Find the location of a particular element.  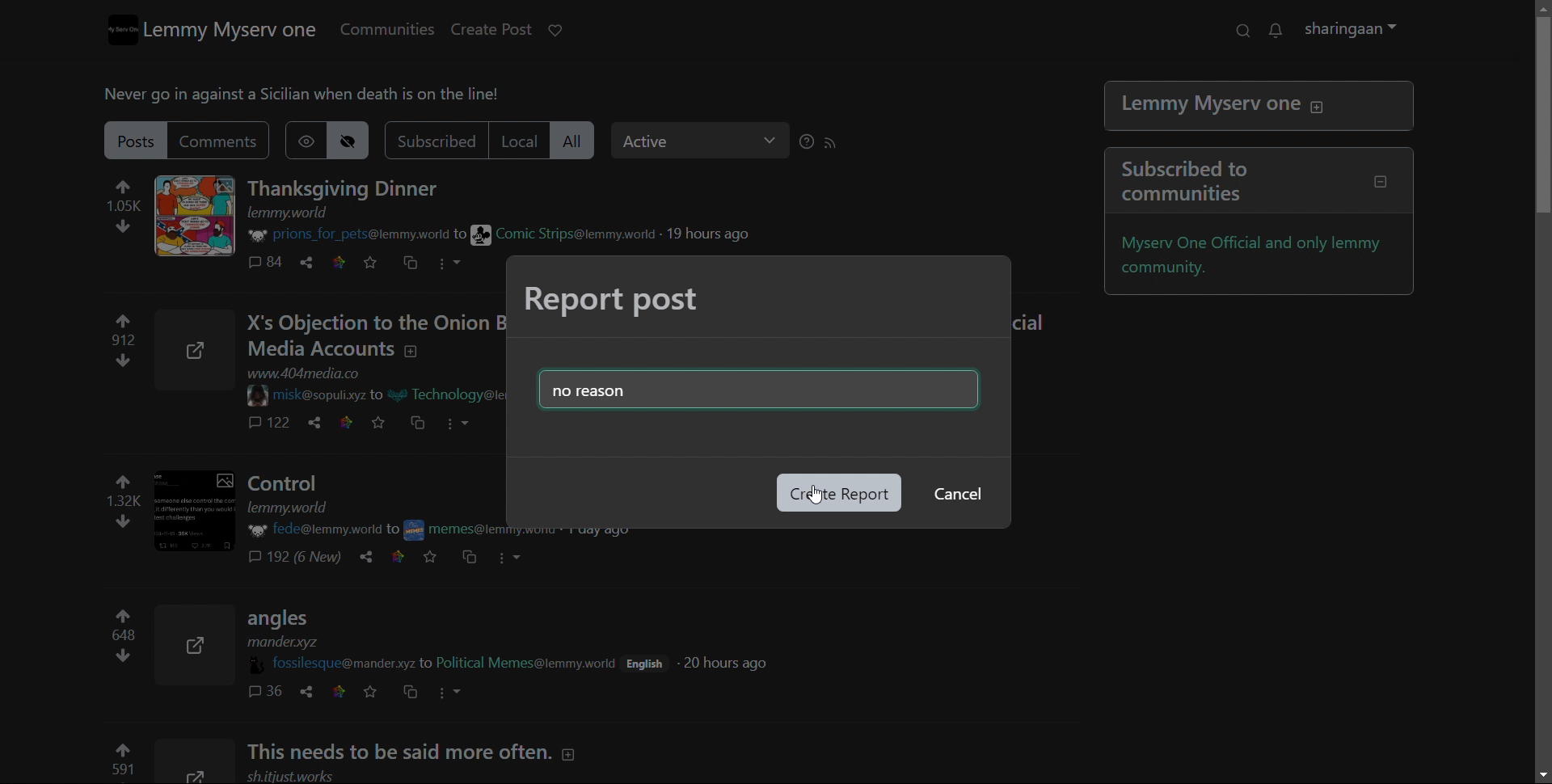

pointer is located at coordinates (810, 502).